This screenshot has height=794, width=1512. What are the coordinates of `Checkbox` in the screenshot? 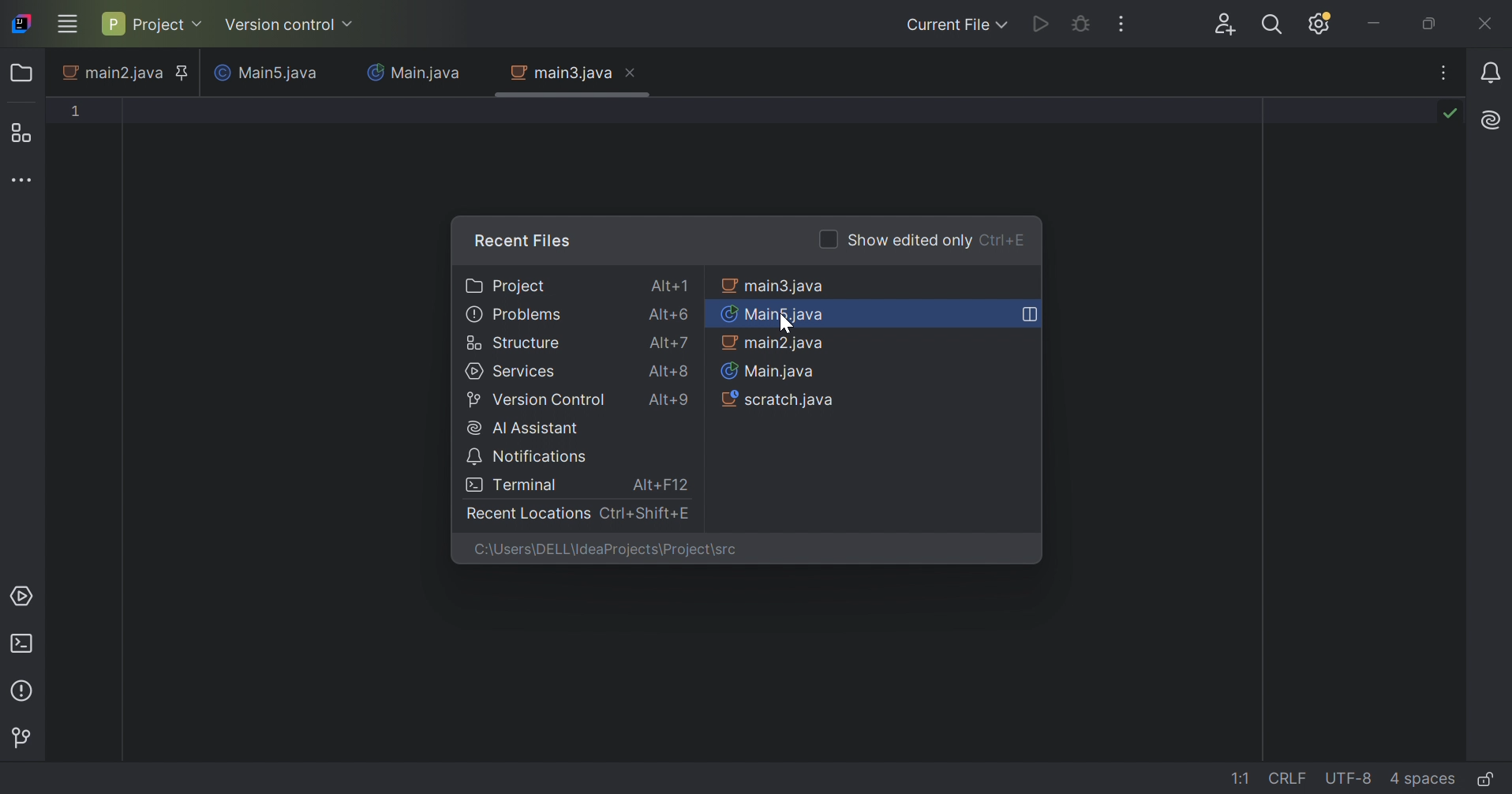 It's located at (830, 239).